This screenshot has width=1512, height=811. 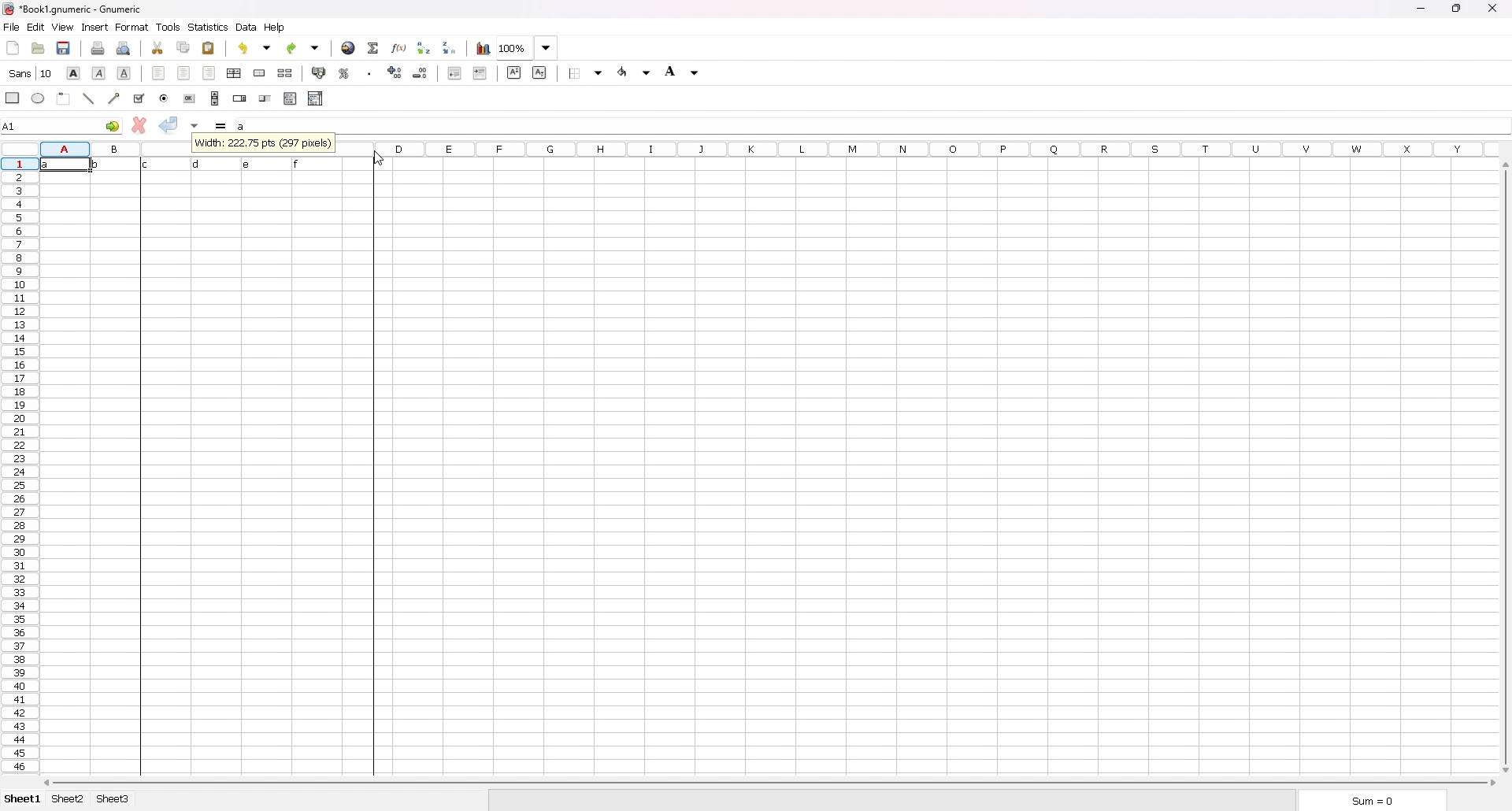 What do you see at coordinates (305, 48) in the screenshot?
I see `redo` at bounding box center [305, 48].